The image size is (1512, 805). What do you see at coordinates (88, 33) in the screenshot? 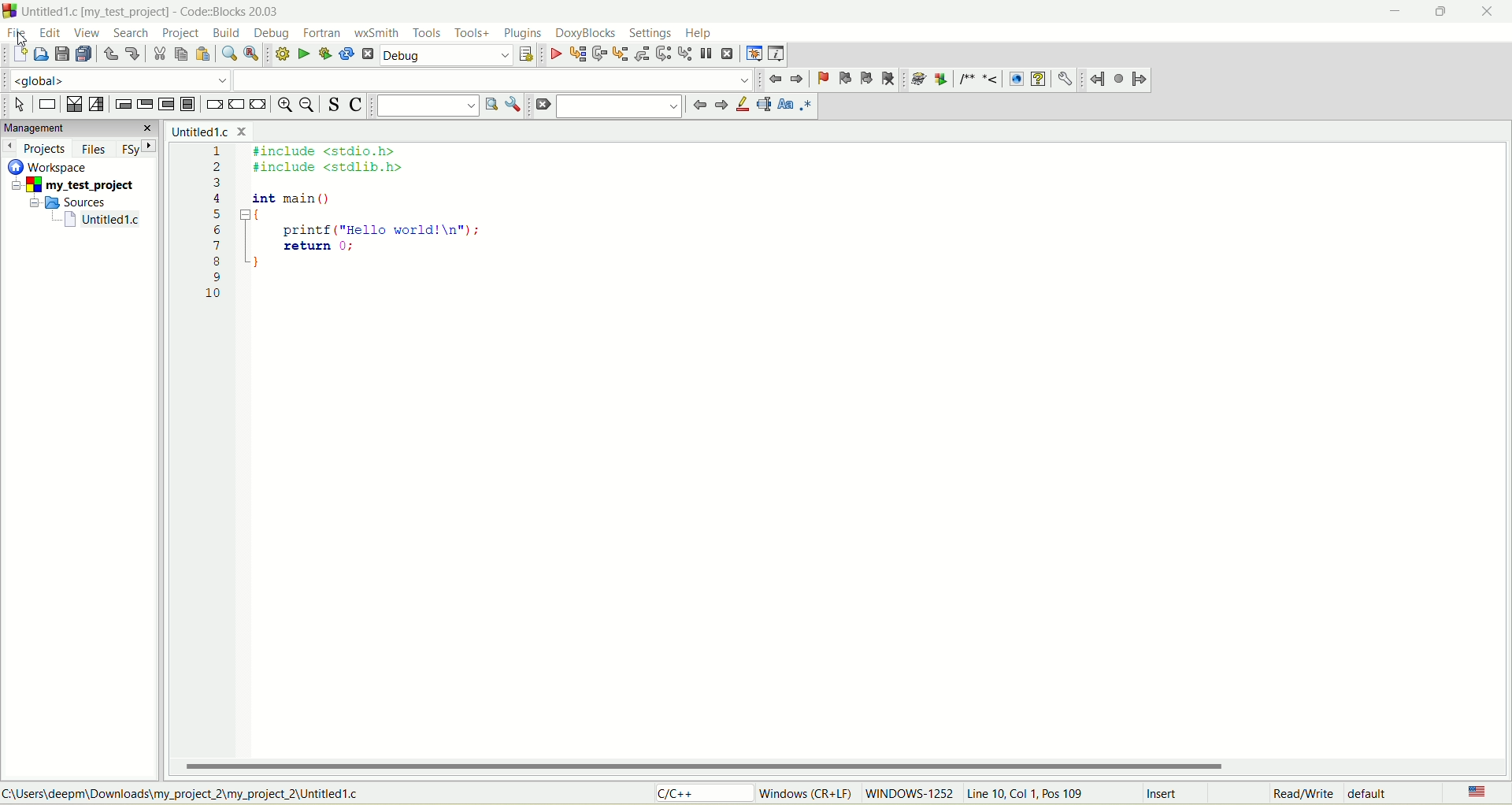
I see `view` at bounding box center [88, 33].